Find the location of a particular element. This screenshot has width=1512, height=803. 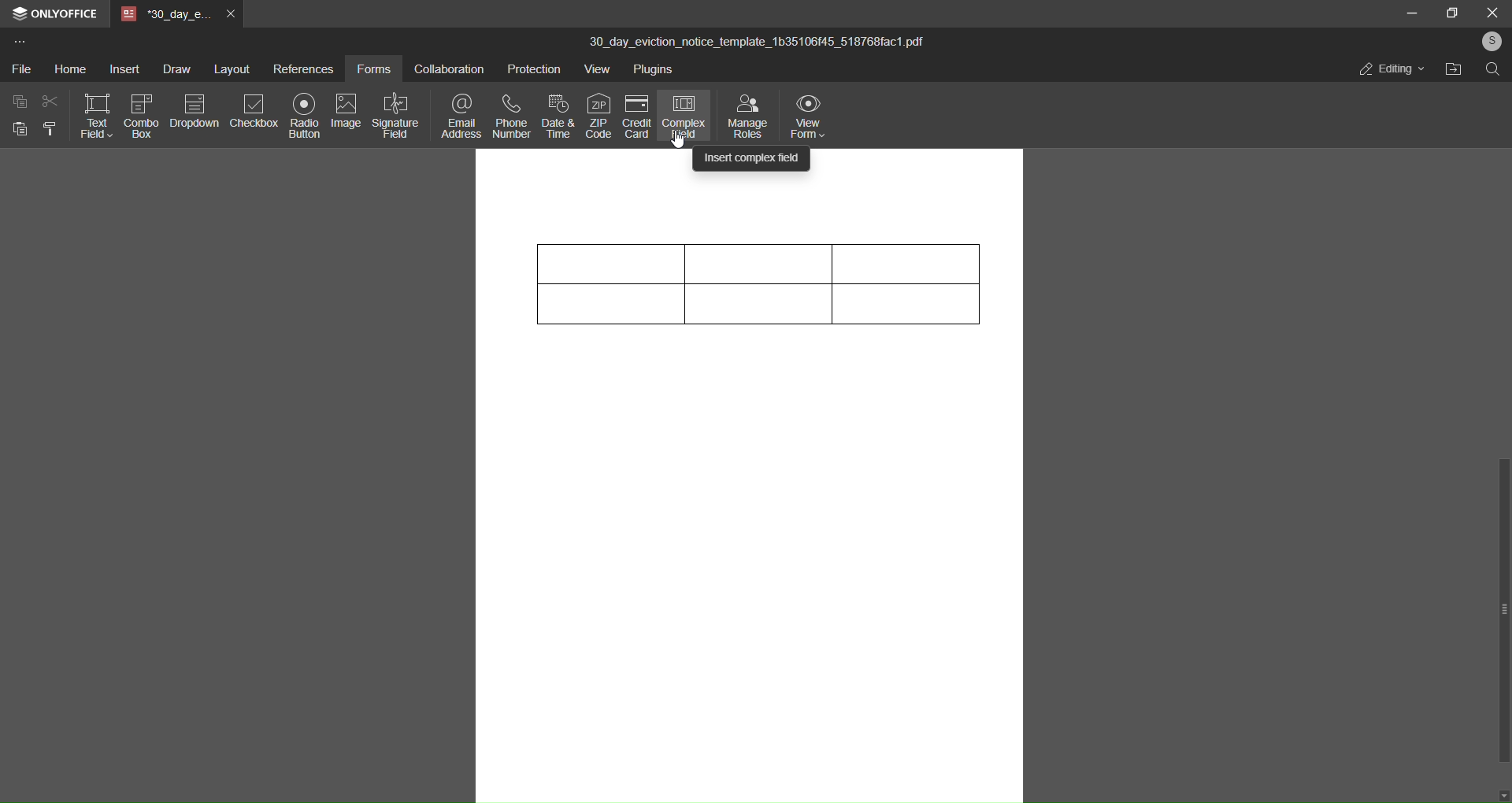

down is located at coordinates (1503, 794).